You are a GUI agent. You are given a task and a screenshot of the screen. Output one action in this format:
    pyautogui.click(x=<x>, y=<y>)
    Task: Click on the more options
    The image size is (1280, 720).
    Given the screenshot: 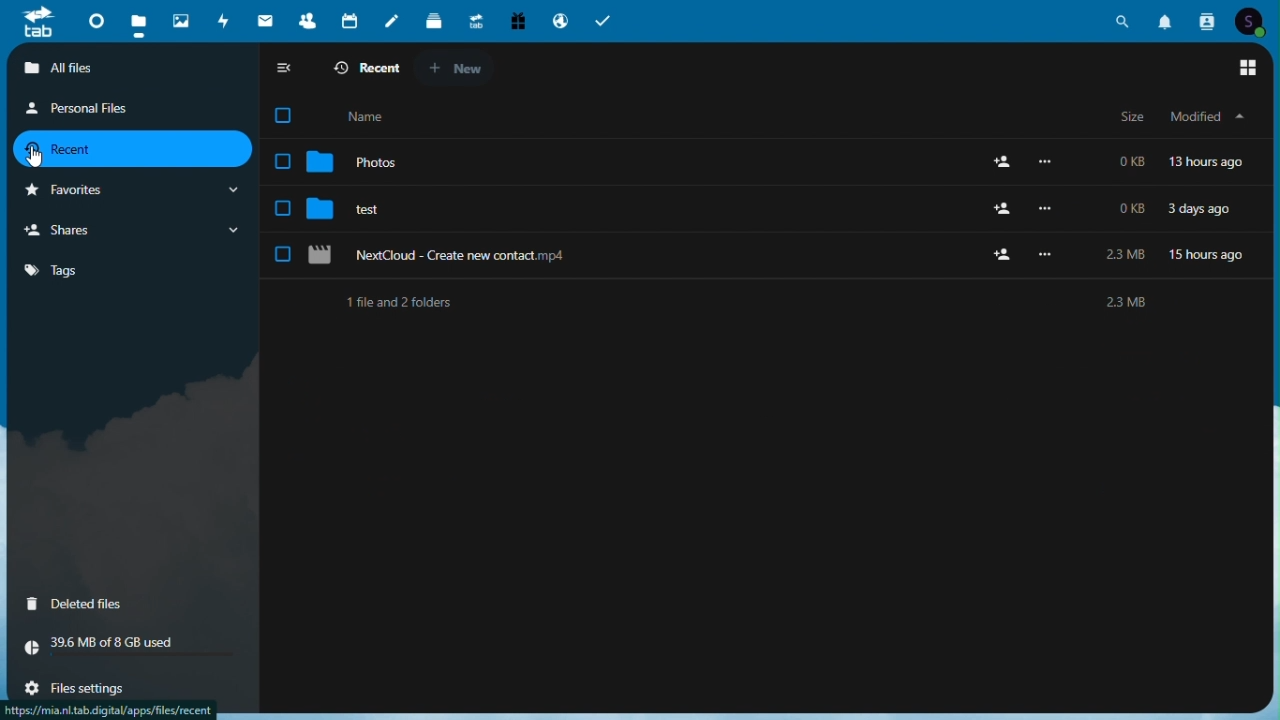 What is the action you would take?
    pyautogui.click(x=1049, y=257)
    